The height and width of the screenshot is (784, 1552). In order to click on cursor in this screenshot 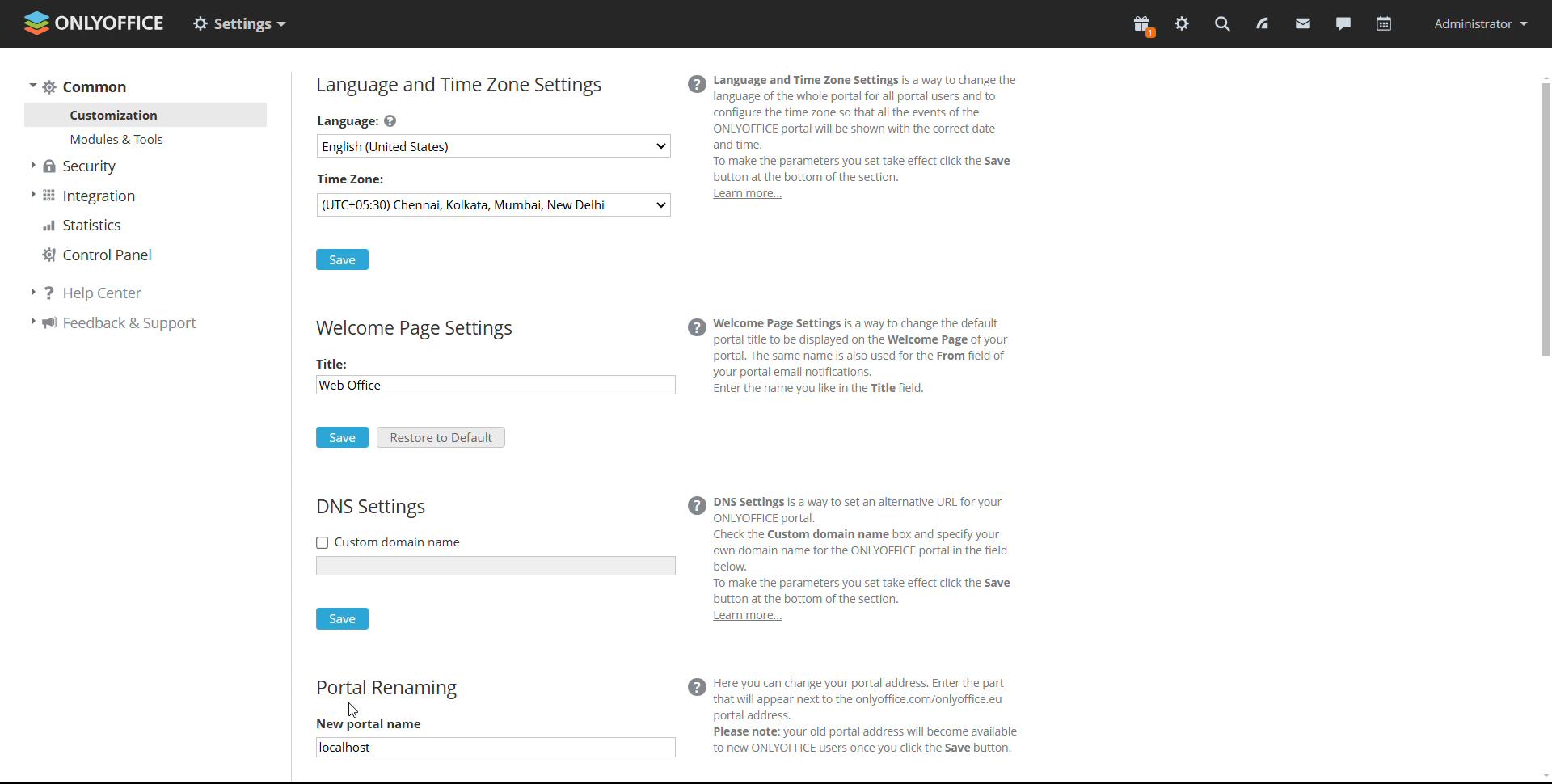, I will do `click(347, 712)`.